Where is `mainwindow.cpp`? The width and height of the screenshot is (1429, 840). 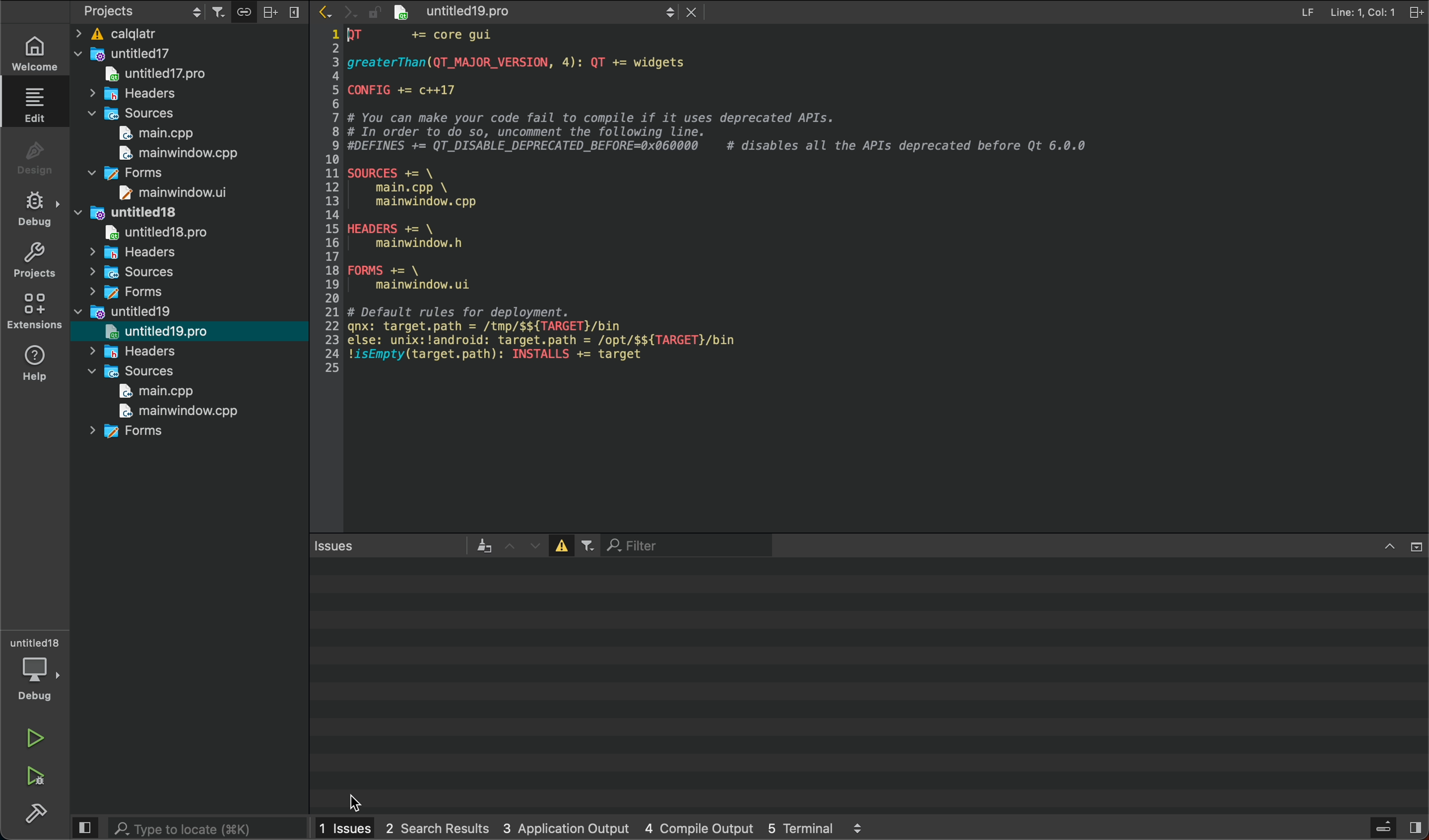 mainwindow.cpp is located at coordinates (190, 412).